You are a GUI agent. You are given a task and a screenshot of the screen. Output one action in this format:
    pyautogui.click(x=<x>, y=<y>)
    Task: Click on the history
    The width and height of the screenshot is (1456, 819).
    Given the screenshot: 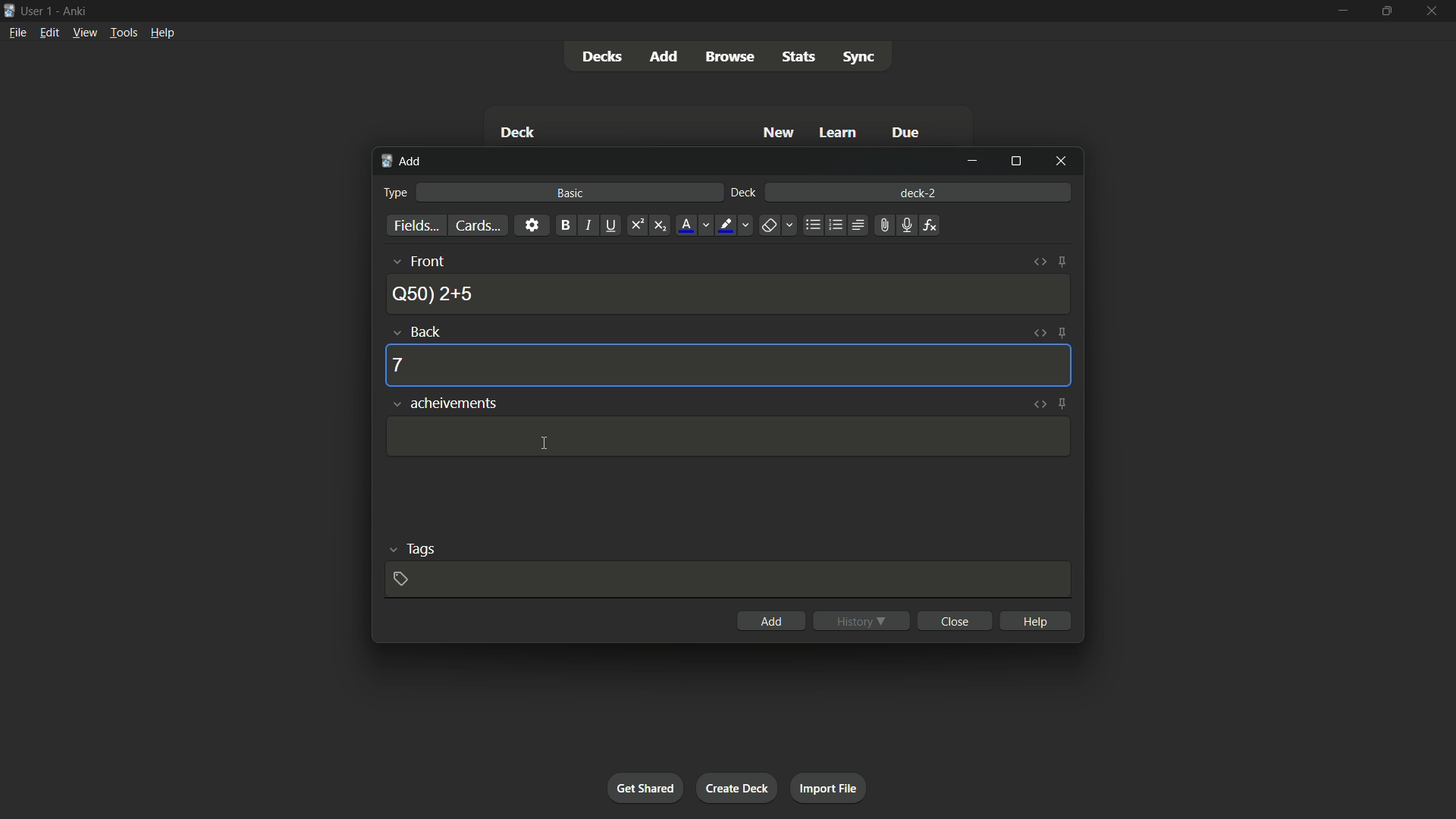 What is the action you would take?
    pyautogui.click(x=859, y=621)
    